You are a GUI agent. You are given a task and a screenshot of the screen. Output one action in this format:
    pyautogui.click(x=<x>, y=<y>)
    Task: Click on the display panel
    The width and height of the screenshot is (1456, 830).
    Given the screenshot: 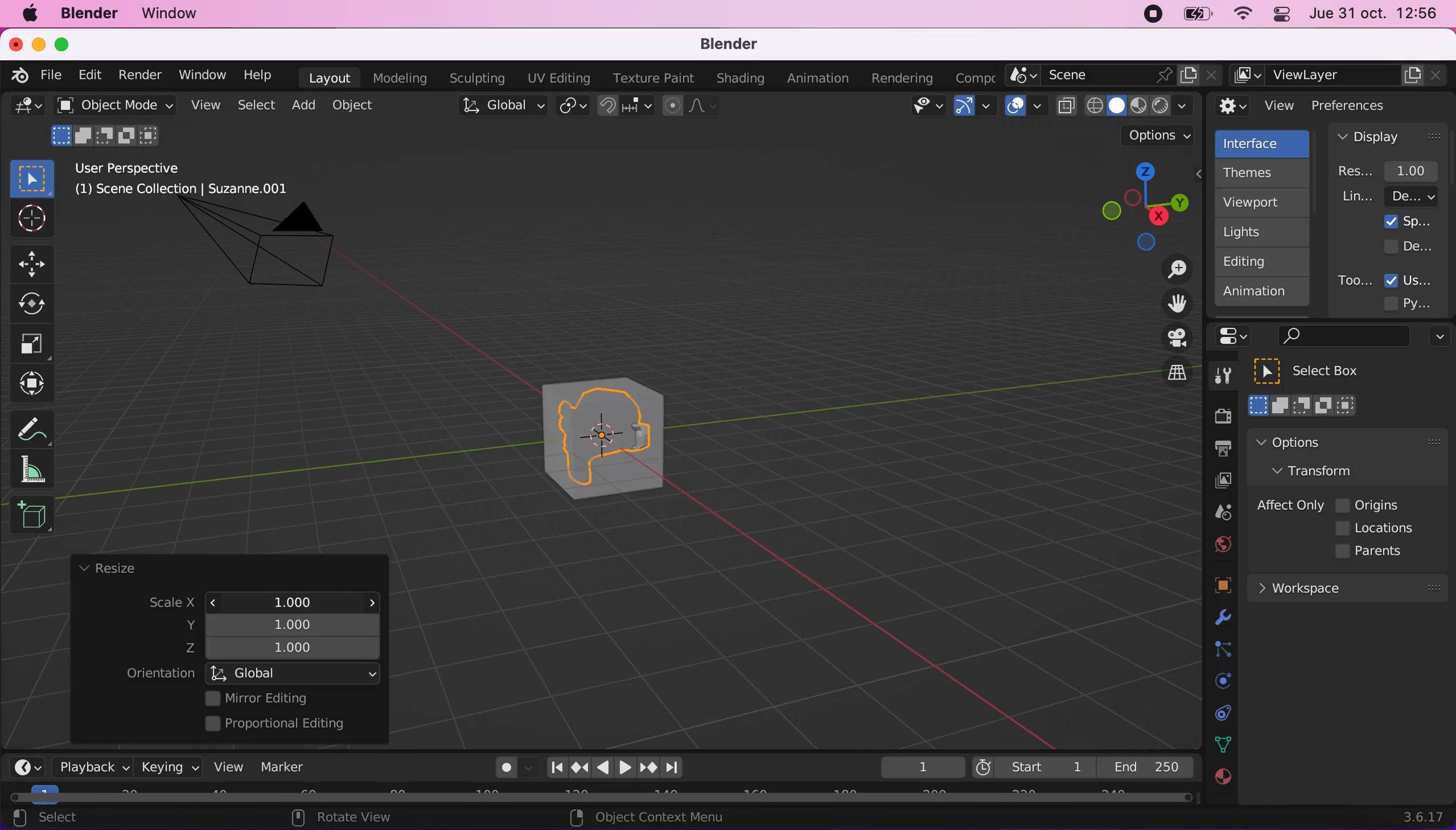 What is the action you would take?
    pyautogui.click(x=1389, y=136)
    